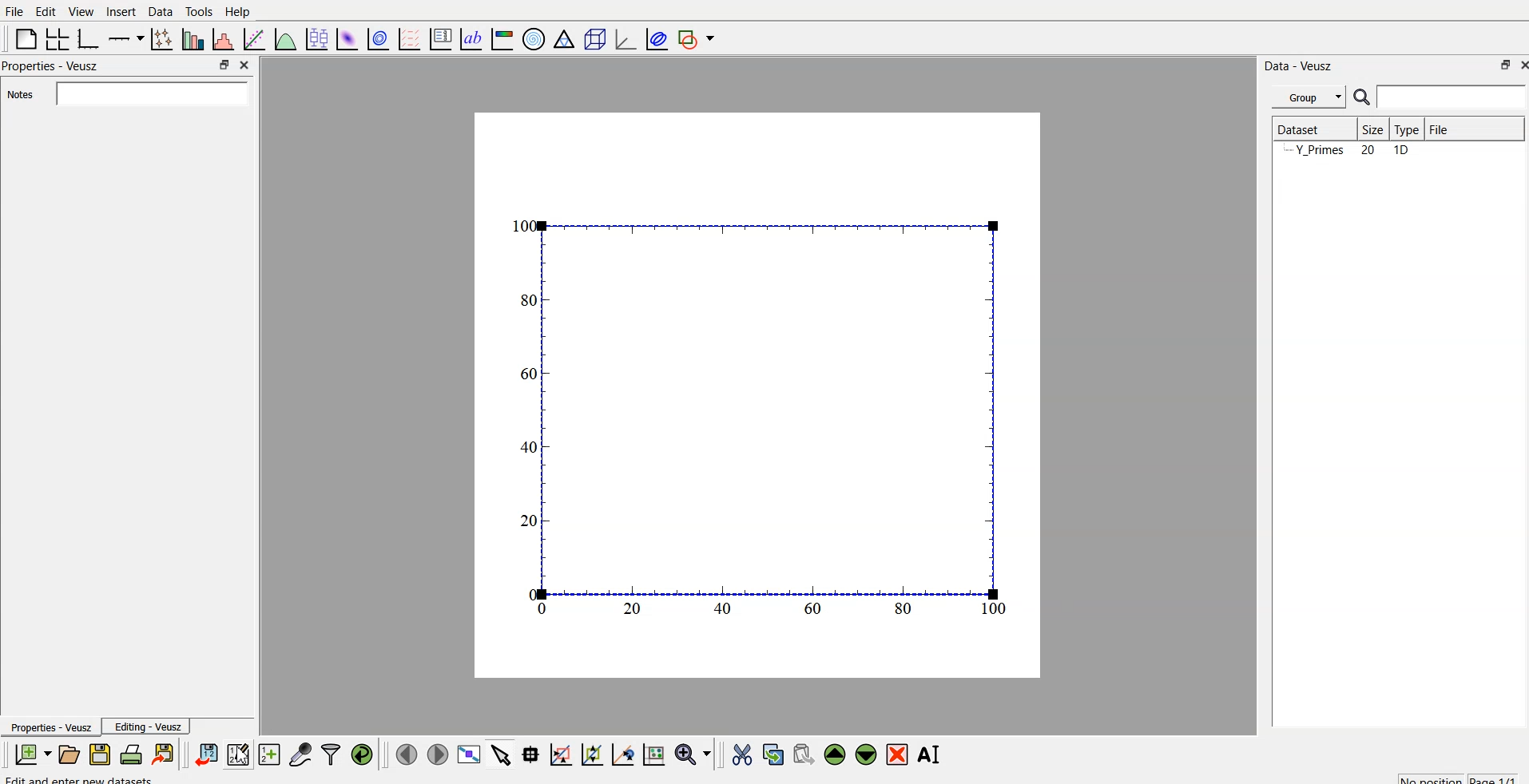 The width and height of the screenshot is (1529, 784). Describe the element at coordinates (502, 41) in the screenshot. I see `image color bar ` at that location.